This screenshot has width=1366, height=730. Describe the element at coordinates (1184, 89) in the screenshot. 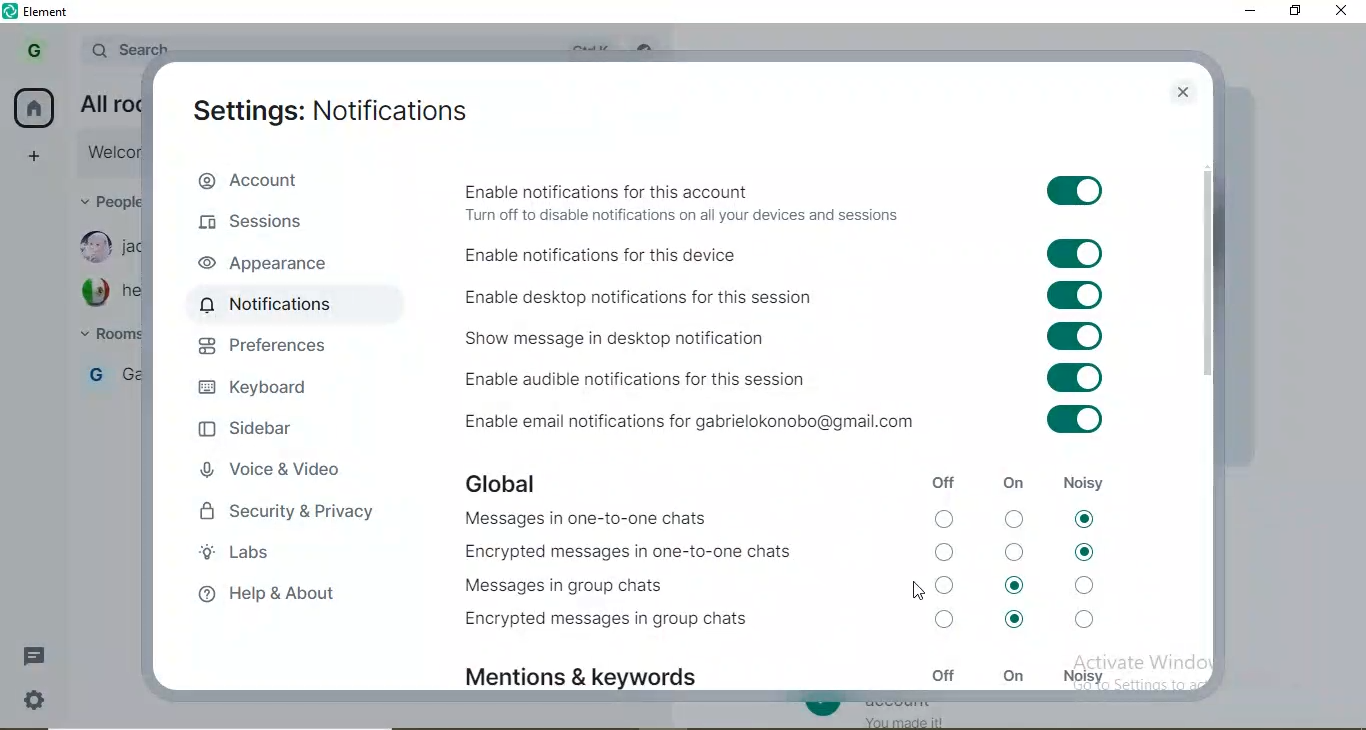

I see `close` at that location.